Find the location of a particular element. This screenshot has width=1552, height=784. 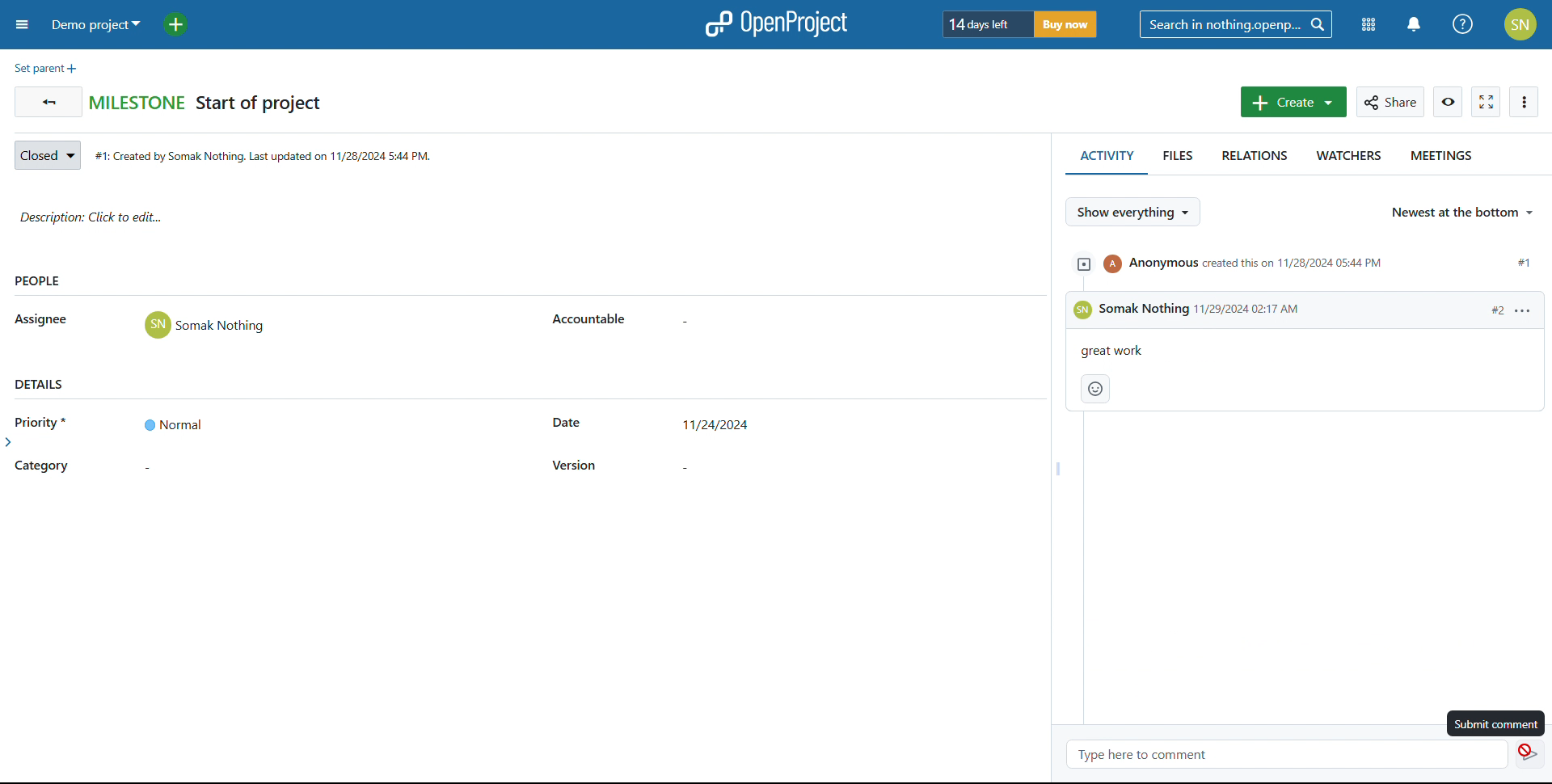

go back is located at coordinates (48, 102).